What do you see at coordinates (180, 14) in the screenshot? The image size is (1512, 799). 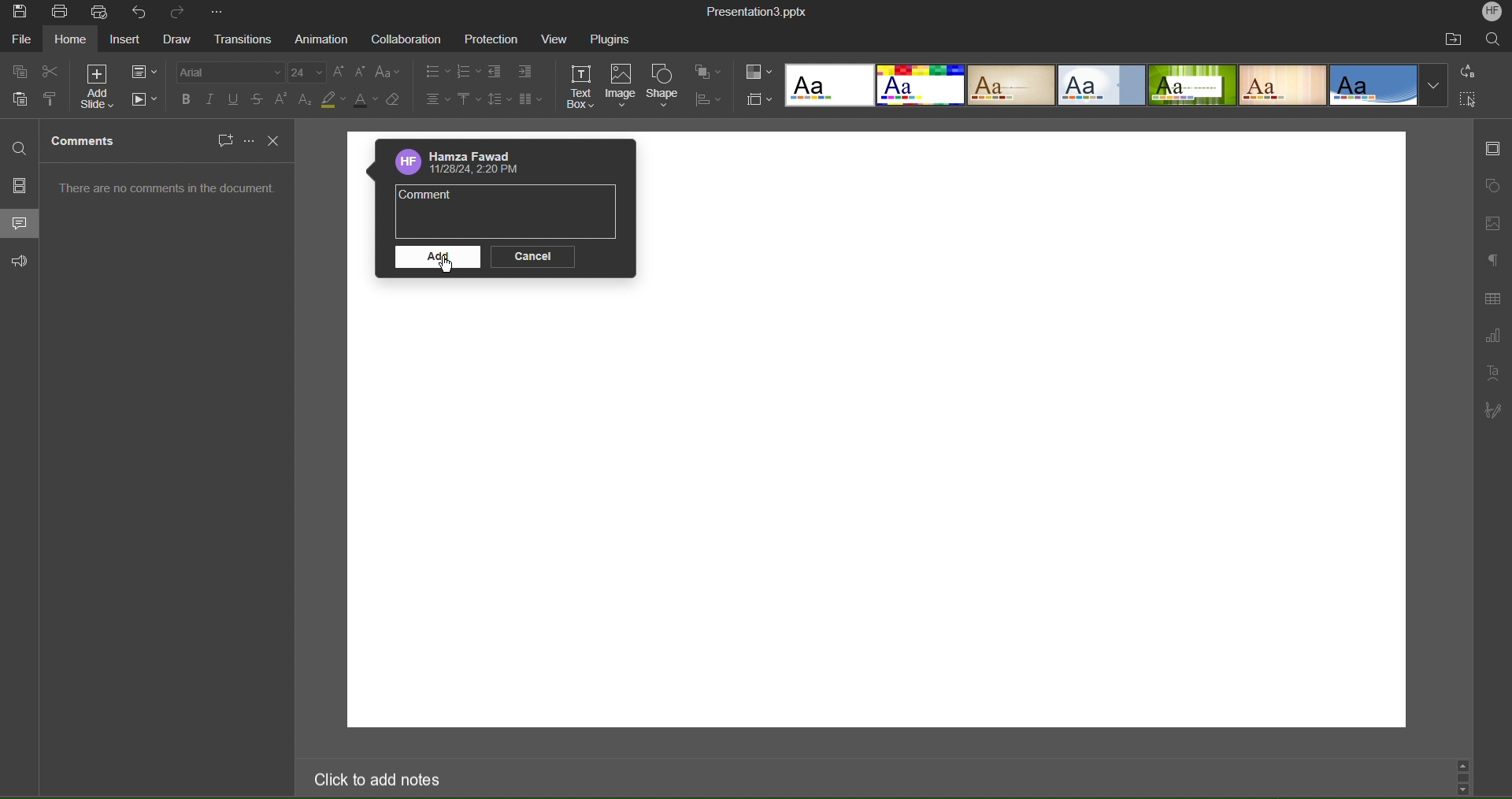 I see `Redo` at bounding box center [180, 14].